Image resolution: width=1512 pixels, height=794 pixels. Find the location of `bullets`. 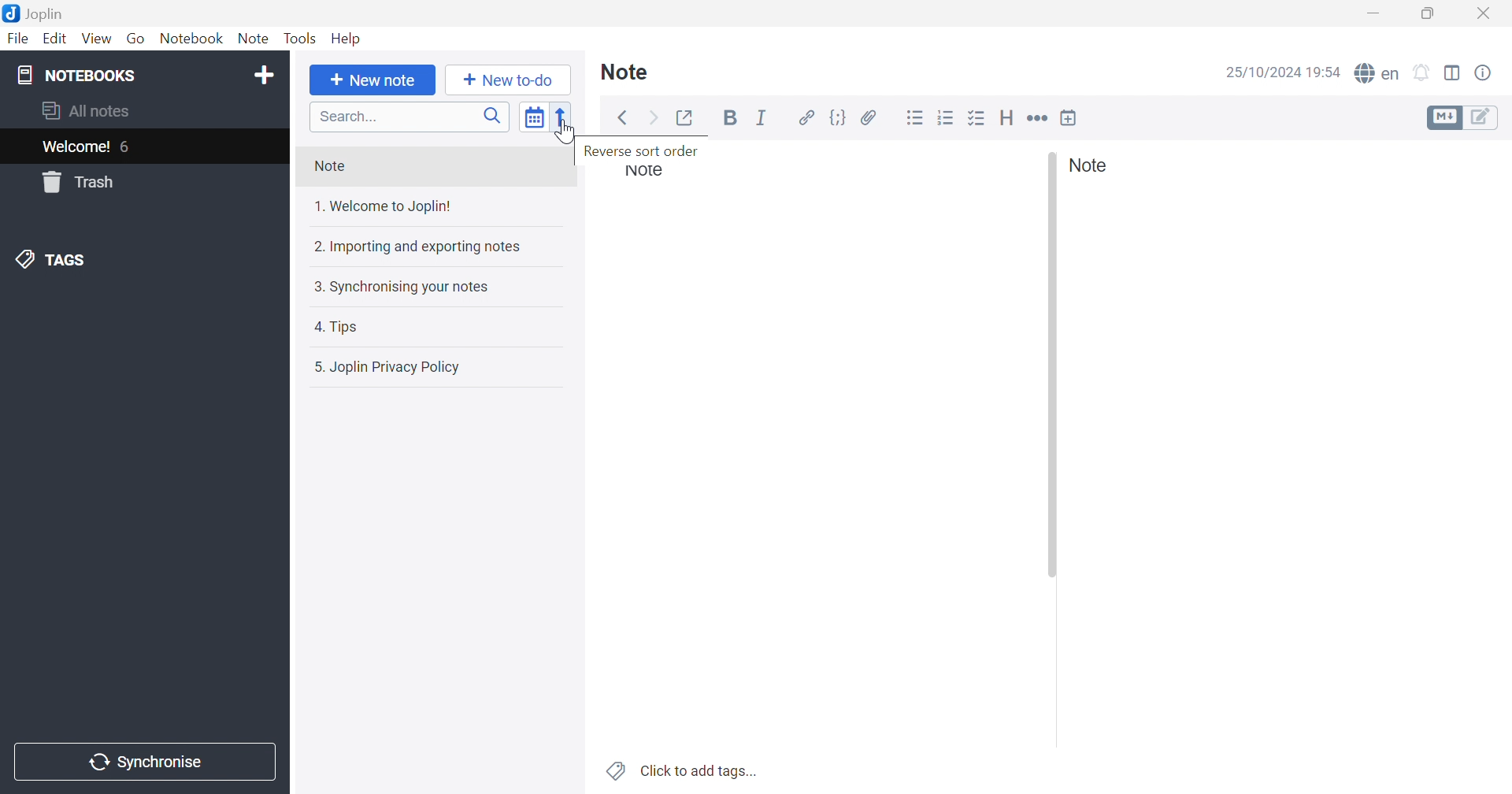

bullets is located at coordinates (979, 120).